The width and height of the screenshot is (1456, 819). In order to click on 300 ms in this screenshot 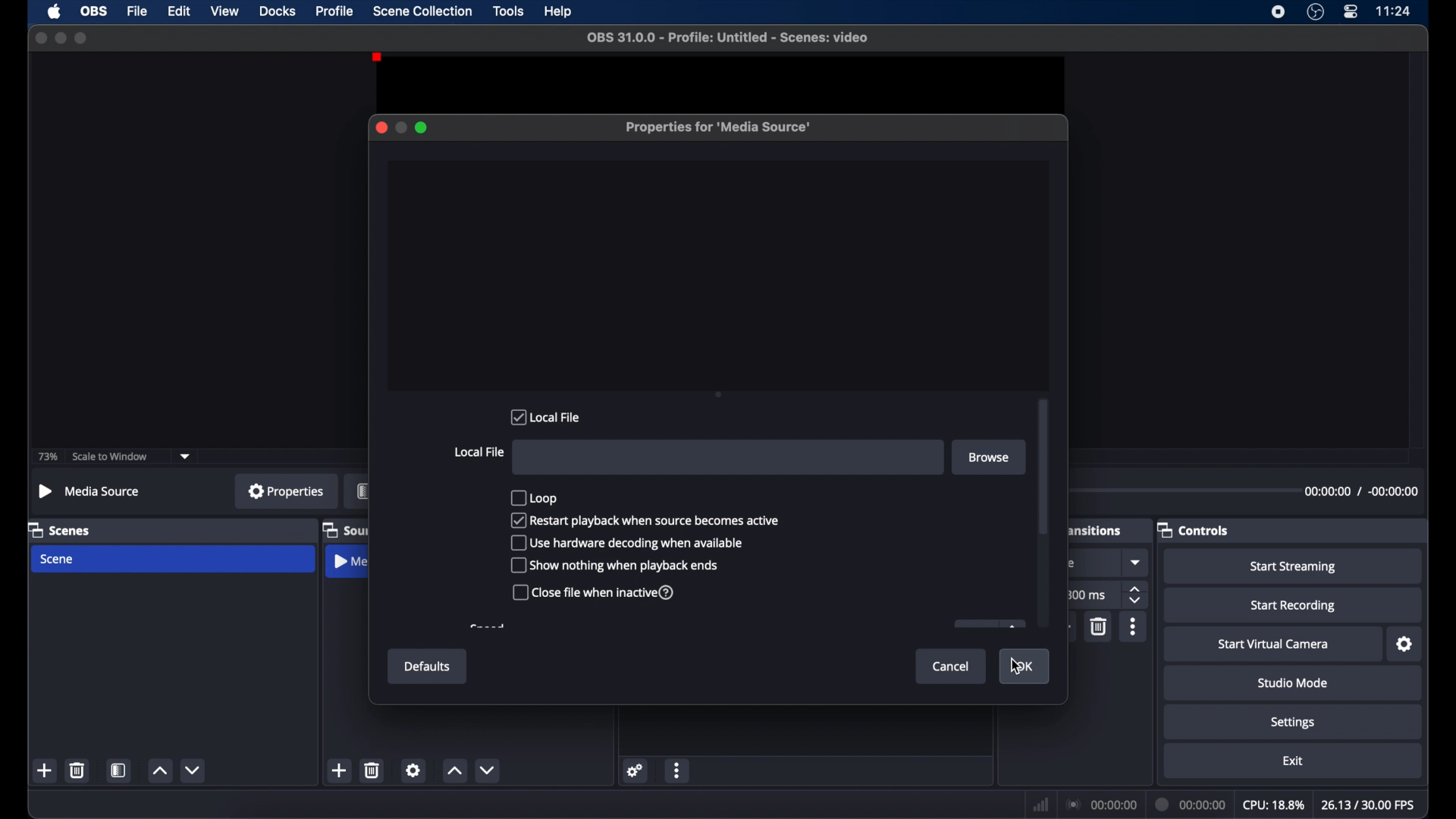, I will do `click(1086, 595)`.